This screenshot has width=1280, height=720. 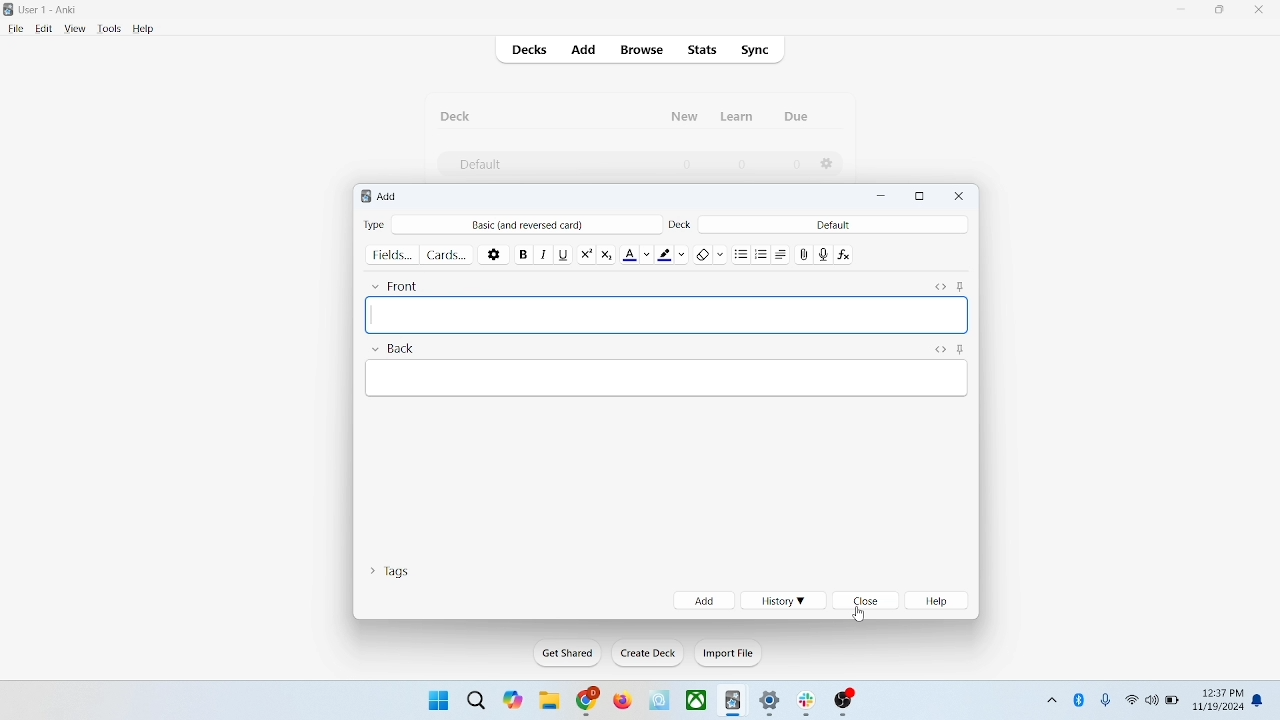 I want to click on learn, so click(x=736, y=116).